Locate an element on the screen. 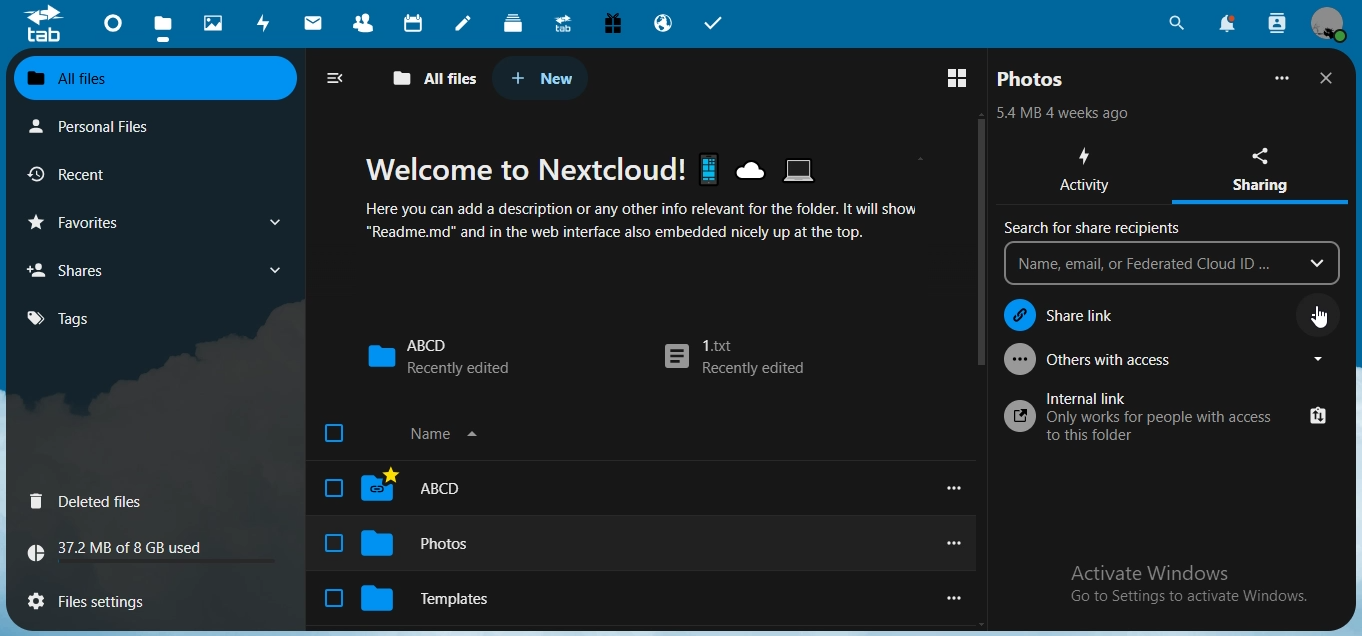 The image size is (1362, 636). check box is located at coordinates (333, 598).